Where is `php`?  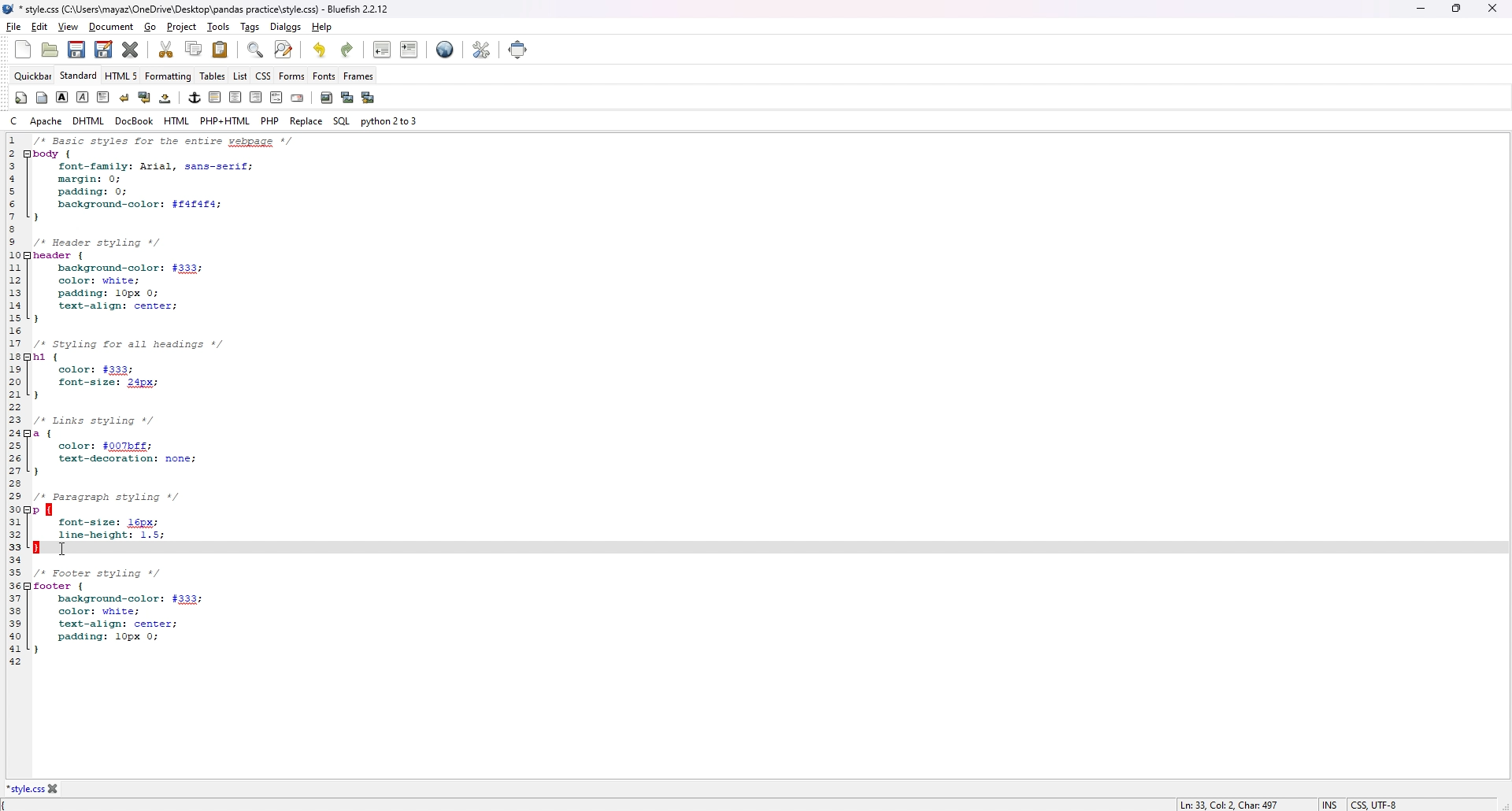 php is located at coordinates (269, 121).